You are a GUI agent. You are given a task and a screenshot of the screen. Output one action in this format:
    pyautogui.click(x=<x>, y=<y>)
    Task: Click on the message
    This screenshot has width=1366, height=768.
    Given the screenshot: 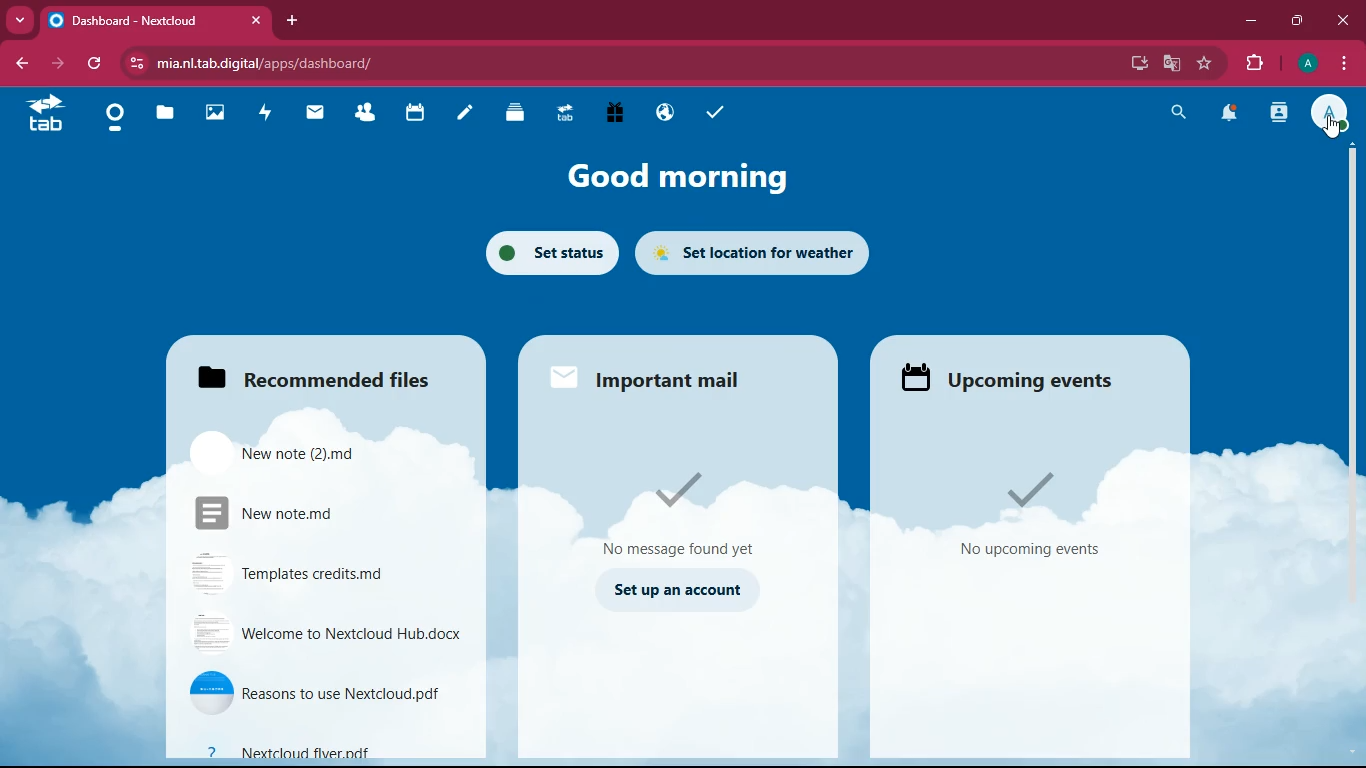 What is the action you would take?
    pyautogui.click(x=692, y=507)
    